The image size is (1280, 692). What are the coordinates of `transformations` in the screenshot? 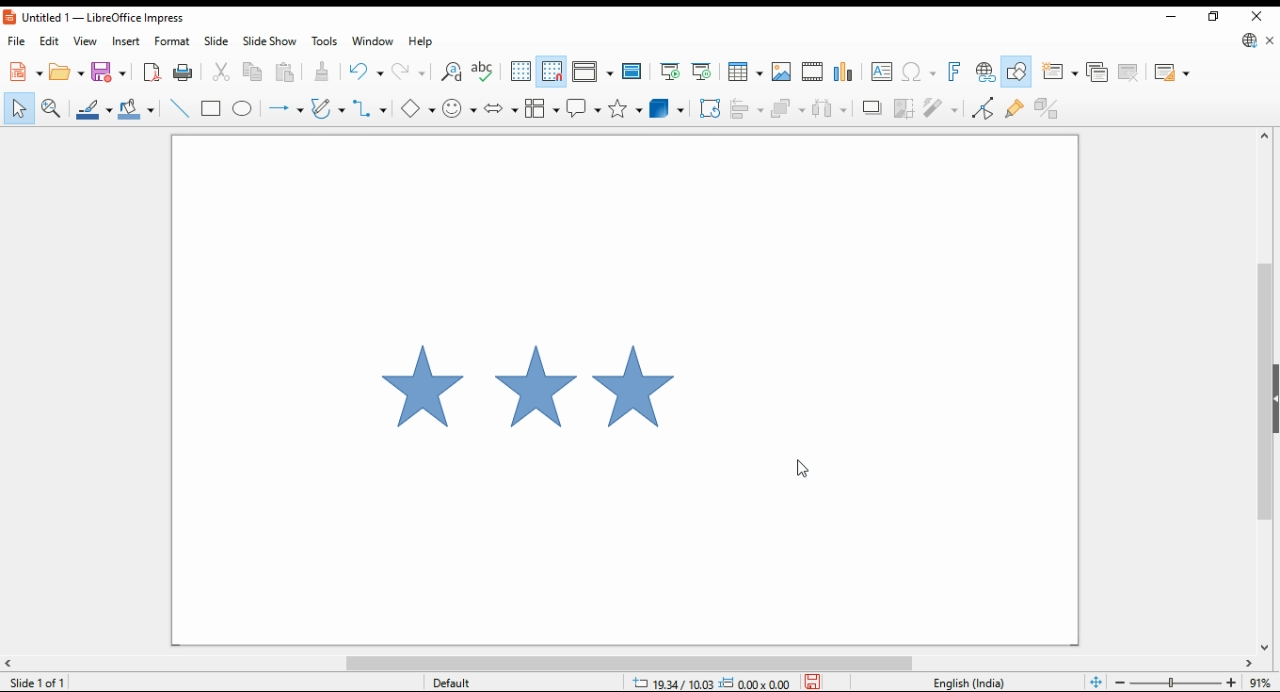 It's located at (710, 110).